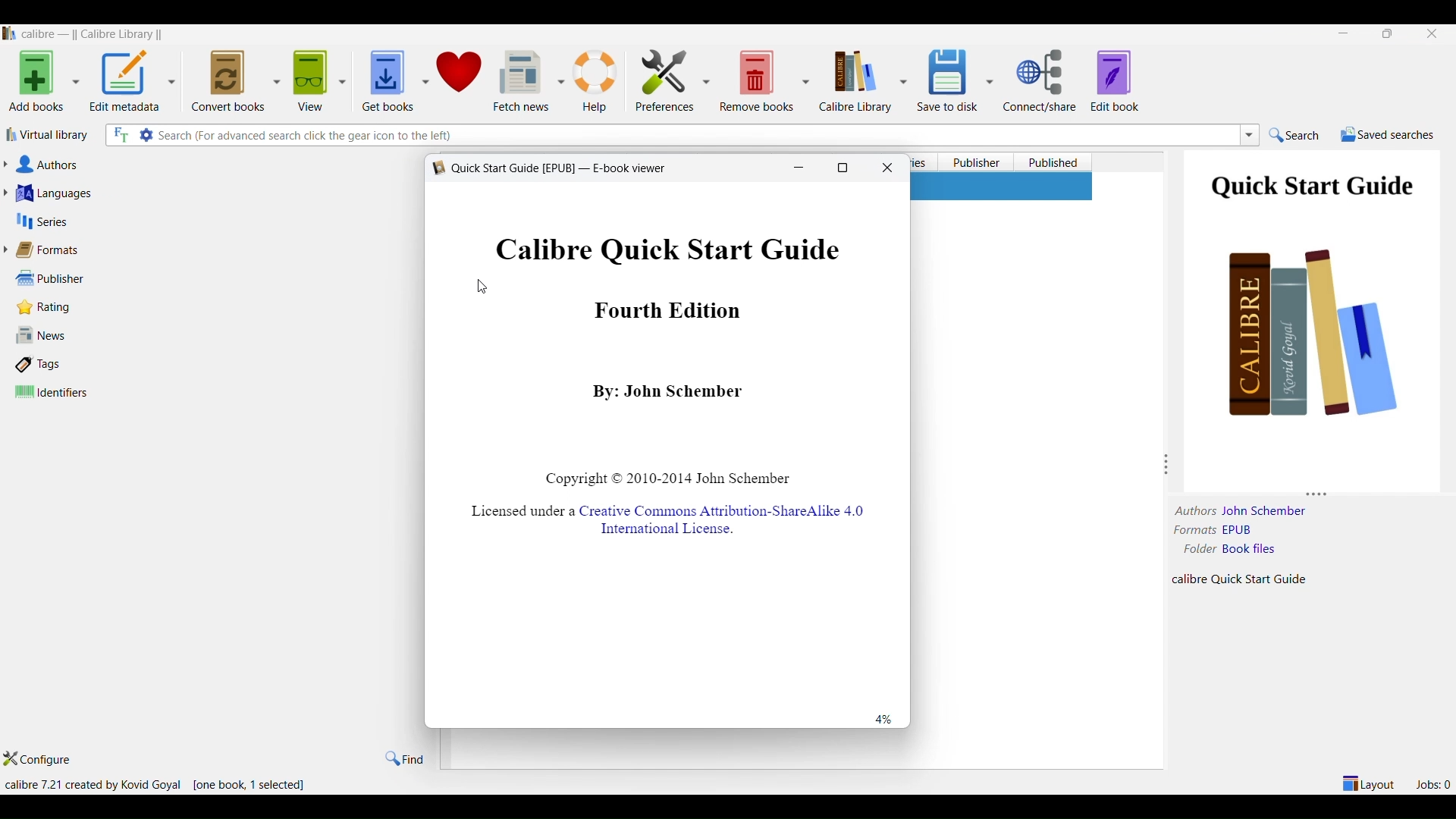  I want to click on layout, so click(1367, 783).